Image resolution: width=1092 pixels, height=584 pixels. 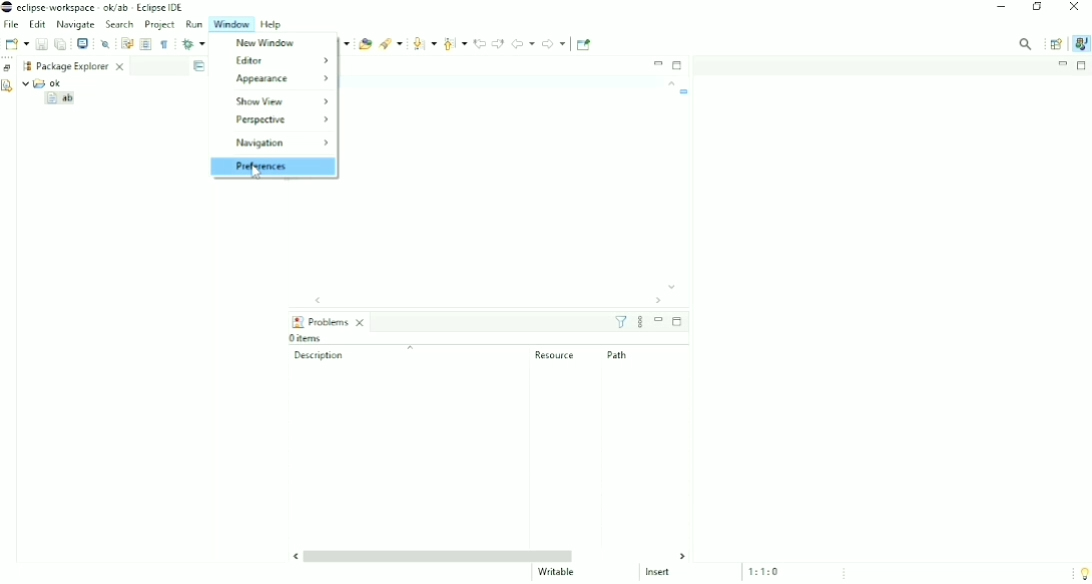 What do you see at coordinates (282, 79) in the screenshot?
I see `Appearance` at bounding box center [282, 79].